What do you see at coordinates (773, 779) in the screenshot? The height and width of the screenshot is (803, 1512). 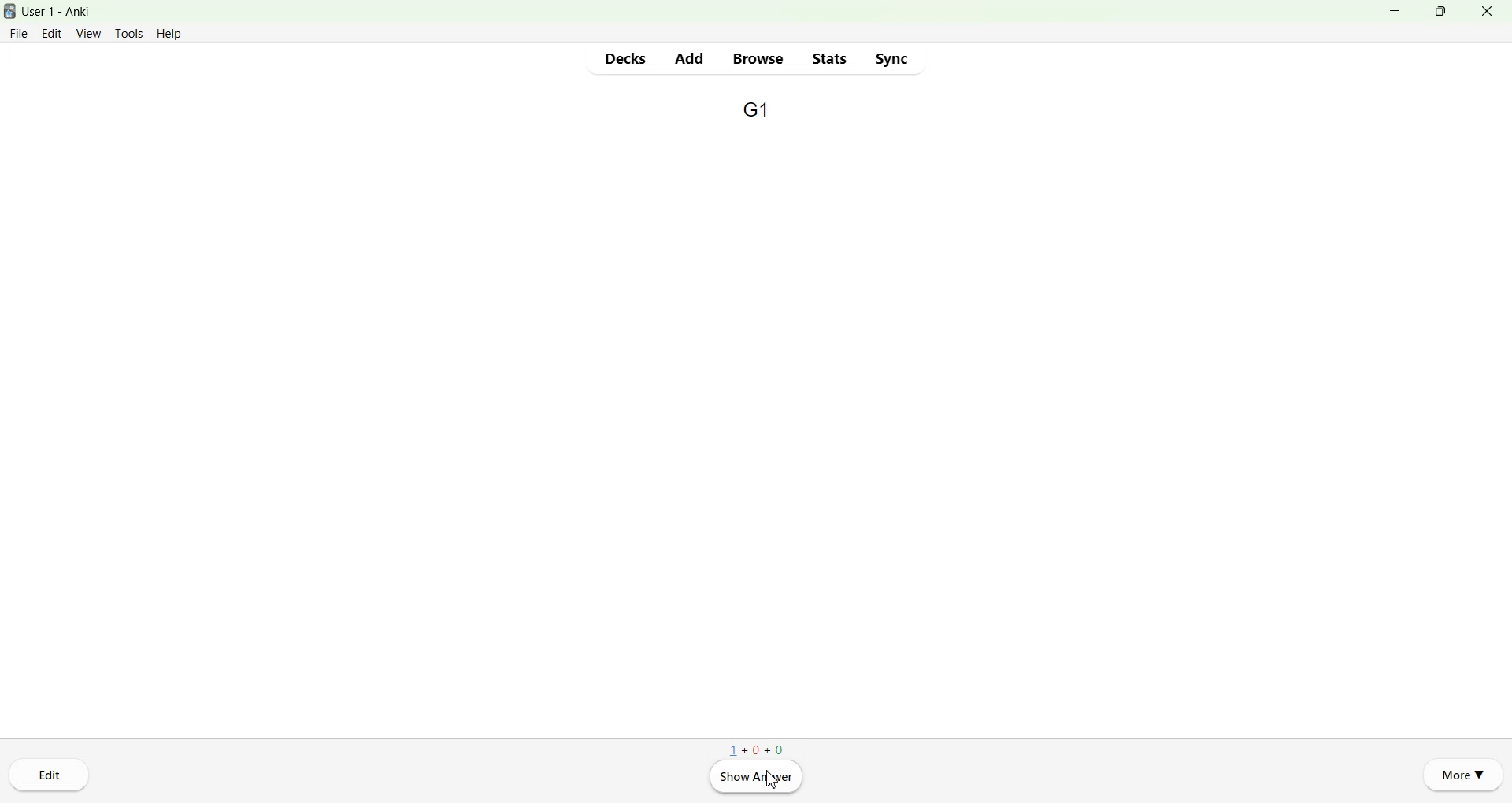 I see `Cursor` at bounding box center [773, 779].